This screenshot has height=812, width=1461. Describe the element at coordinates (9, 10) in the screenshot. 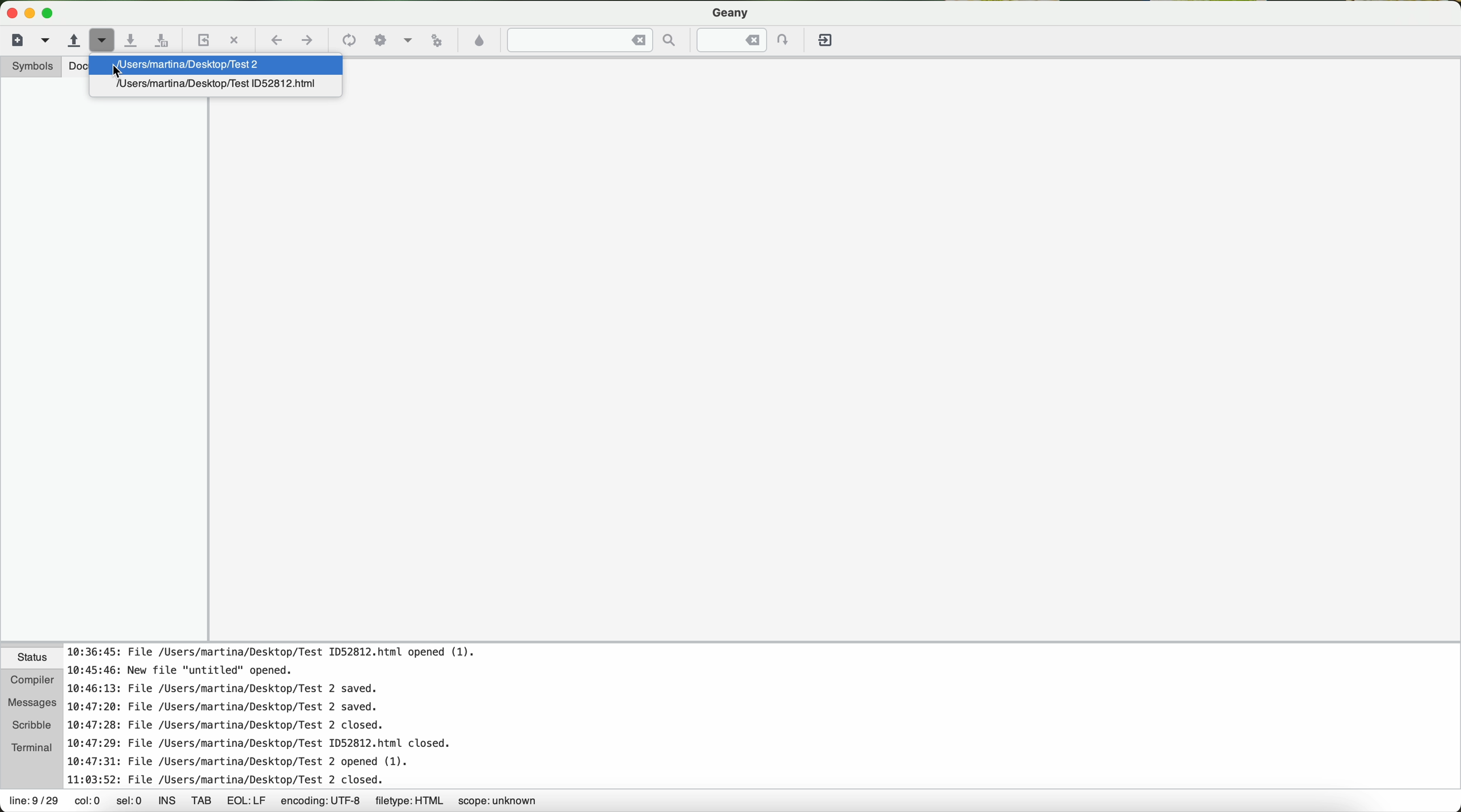

I see `close program` at that location.